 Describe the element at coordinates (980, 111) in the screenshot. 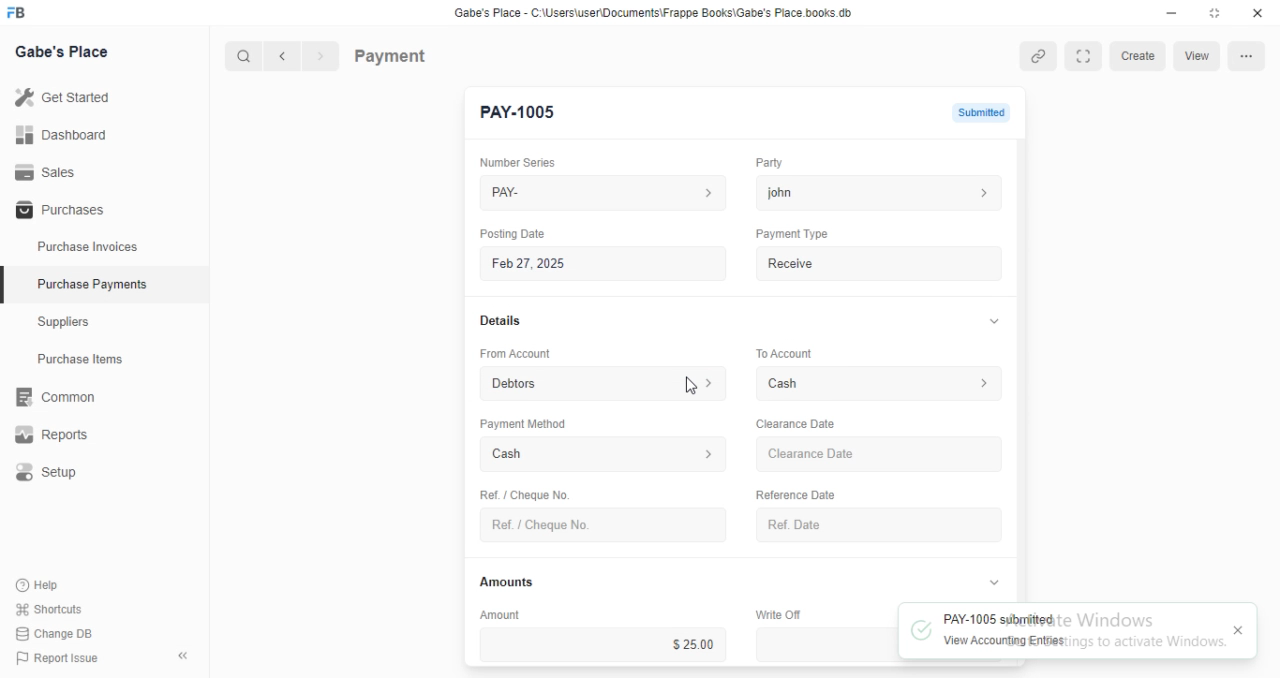

I see `Submitted` at that location.